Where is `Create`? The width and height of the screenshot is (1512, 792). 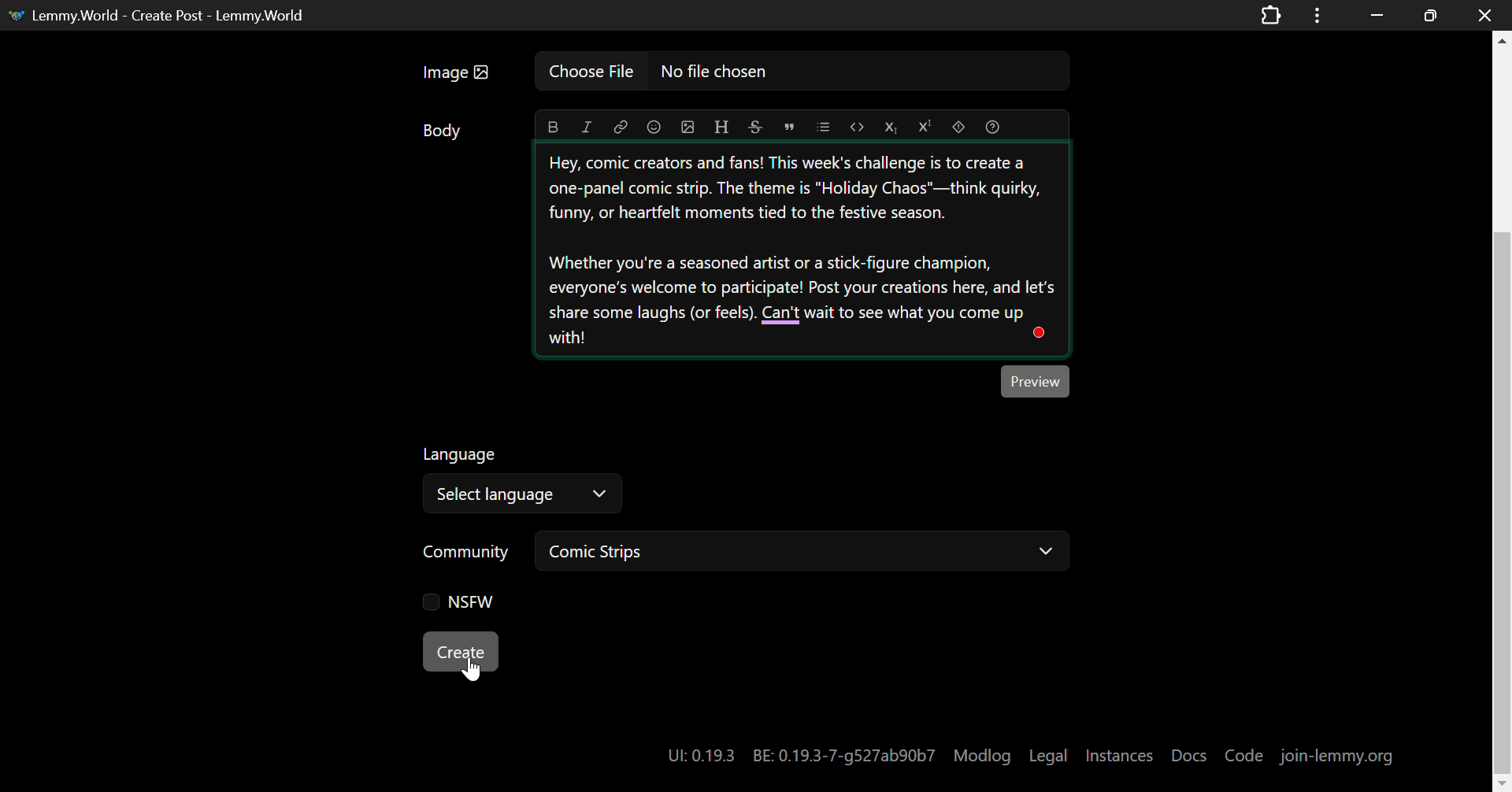 Create is located at coordinates (462, 653).